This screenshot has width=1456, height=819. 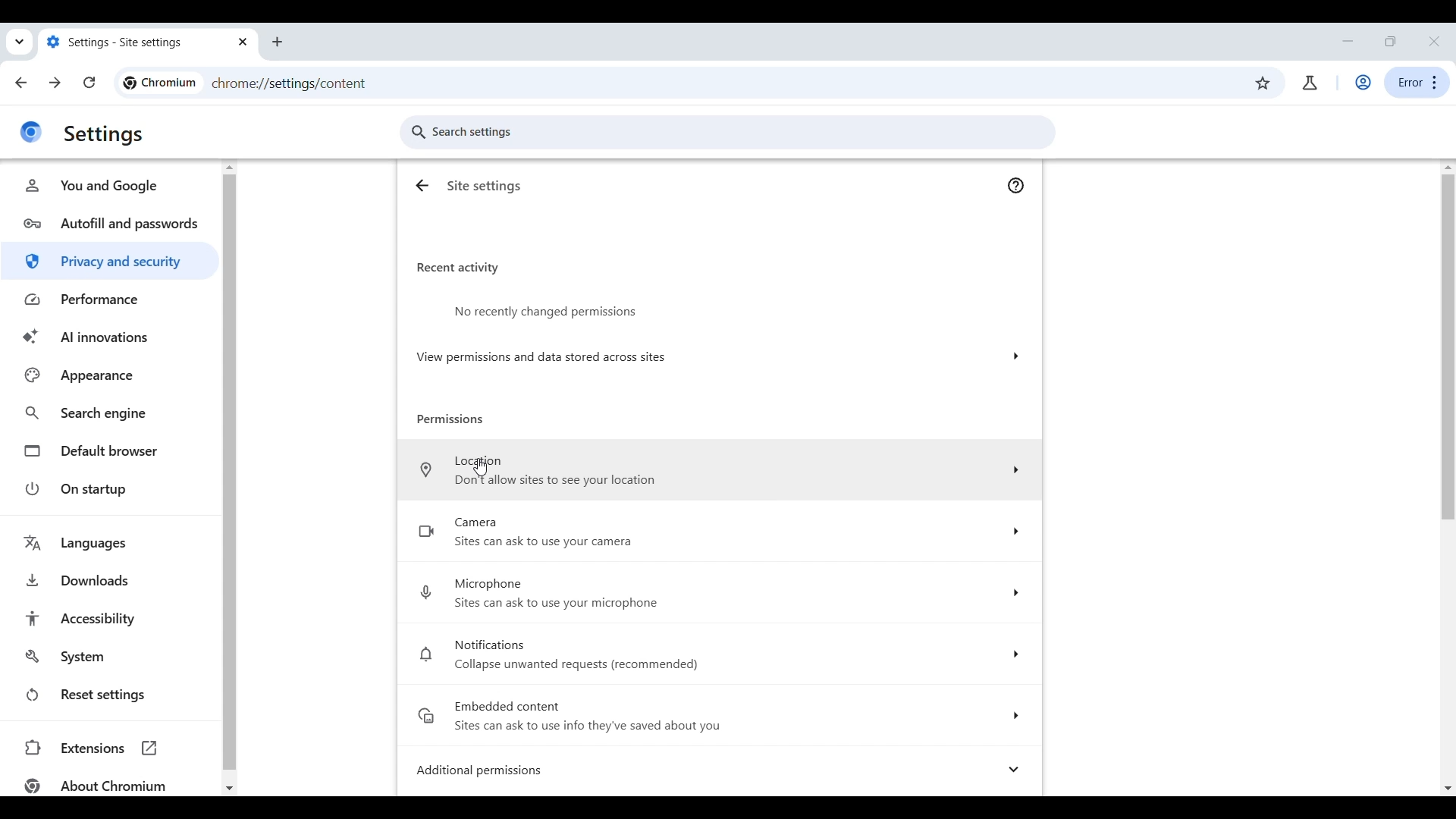 I want to click on Appearance, so click(x=111, y=375).